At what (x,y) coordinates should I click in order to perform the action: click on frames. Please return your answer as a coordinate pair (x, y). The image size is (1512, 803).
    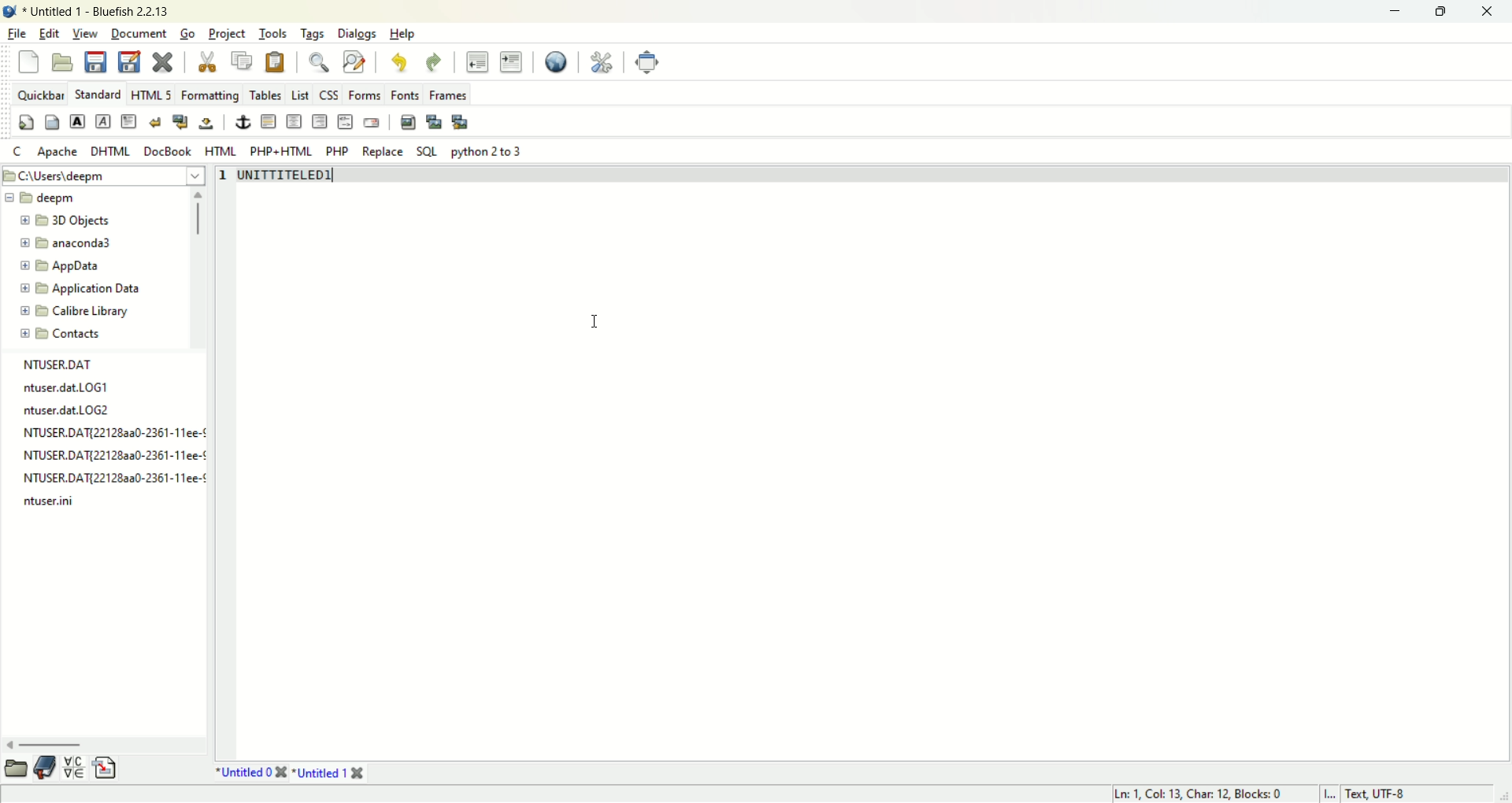
    Looking at the image, I should click on (450, 94).